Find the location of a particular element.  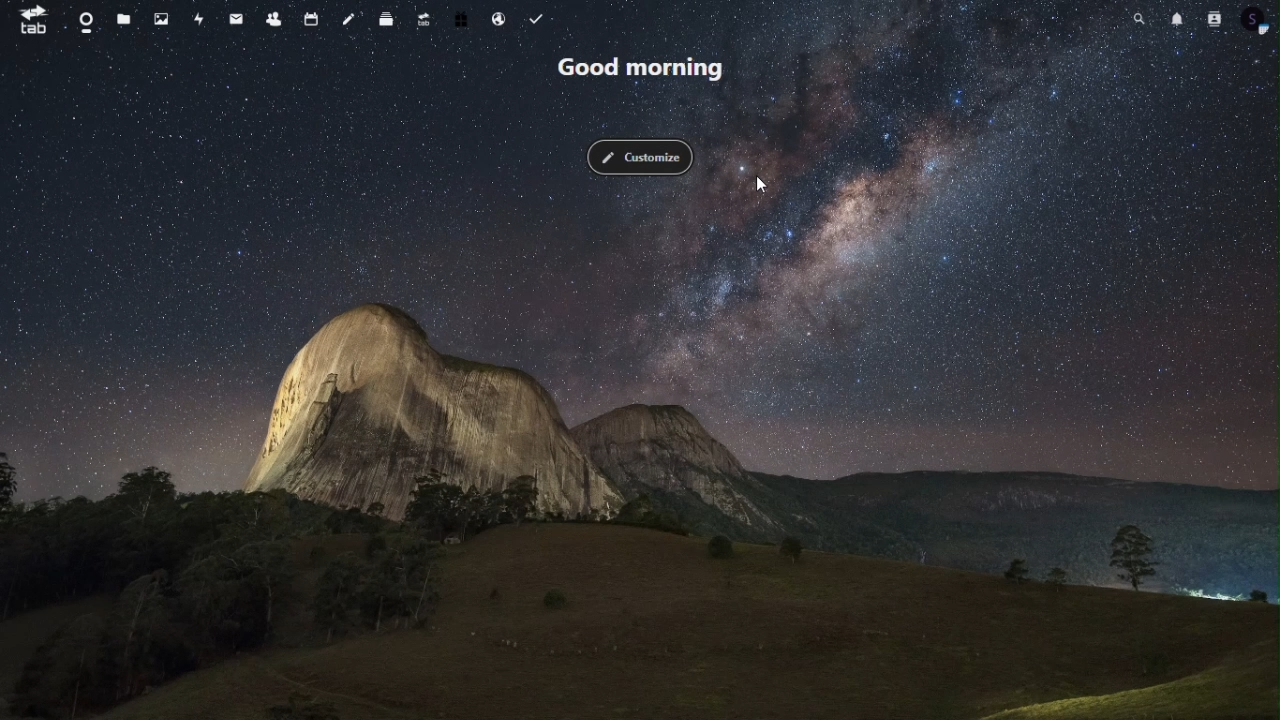

acticity is located at coordinates (201, 21).